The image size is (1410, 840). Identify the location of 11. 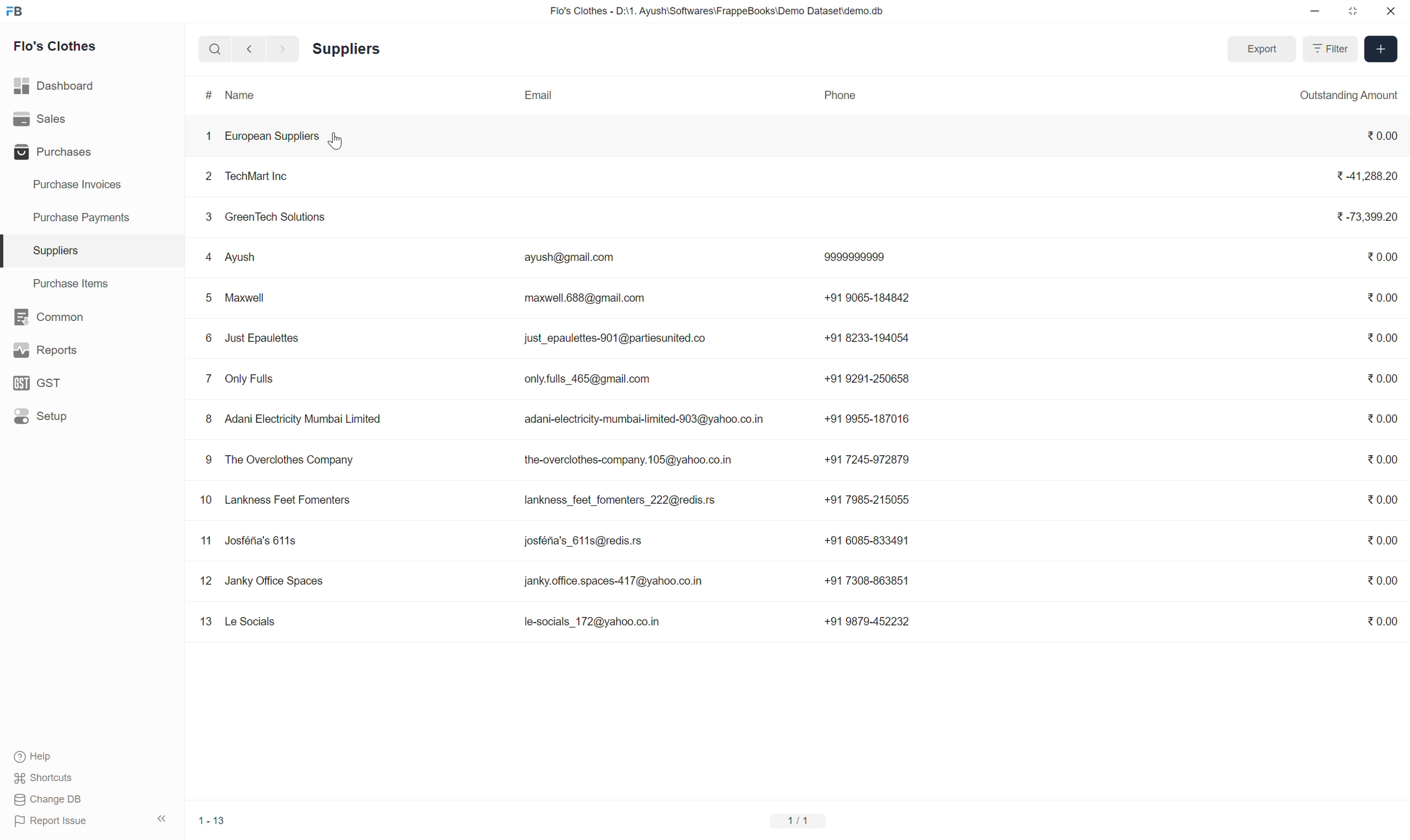
(199, 539).